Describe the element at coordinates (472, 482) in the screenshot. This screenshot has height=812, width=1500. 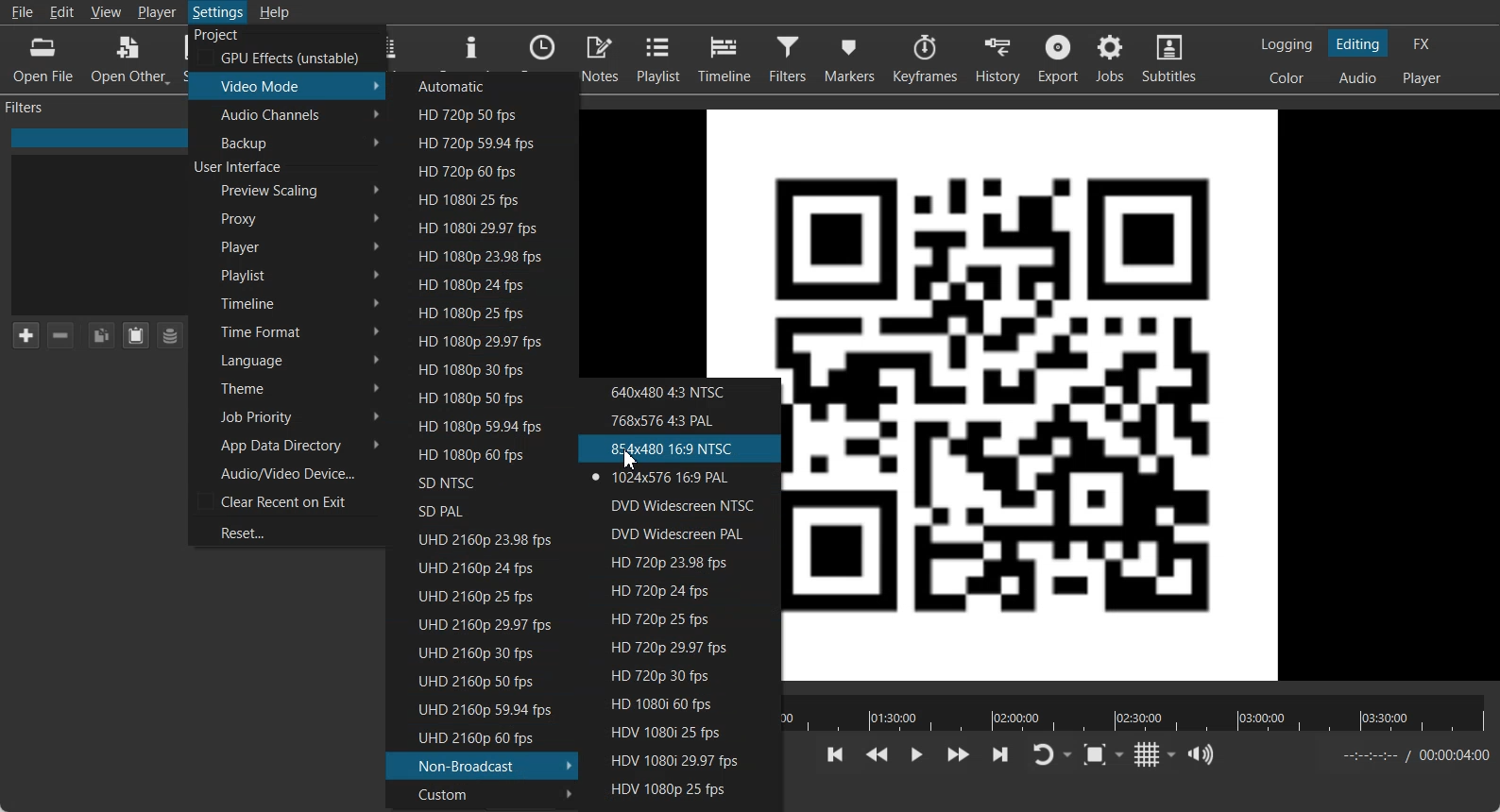
I see `SD NTSC` at that location.